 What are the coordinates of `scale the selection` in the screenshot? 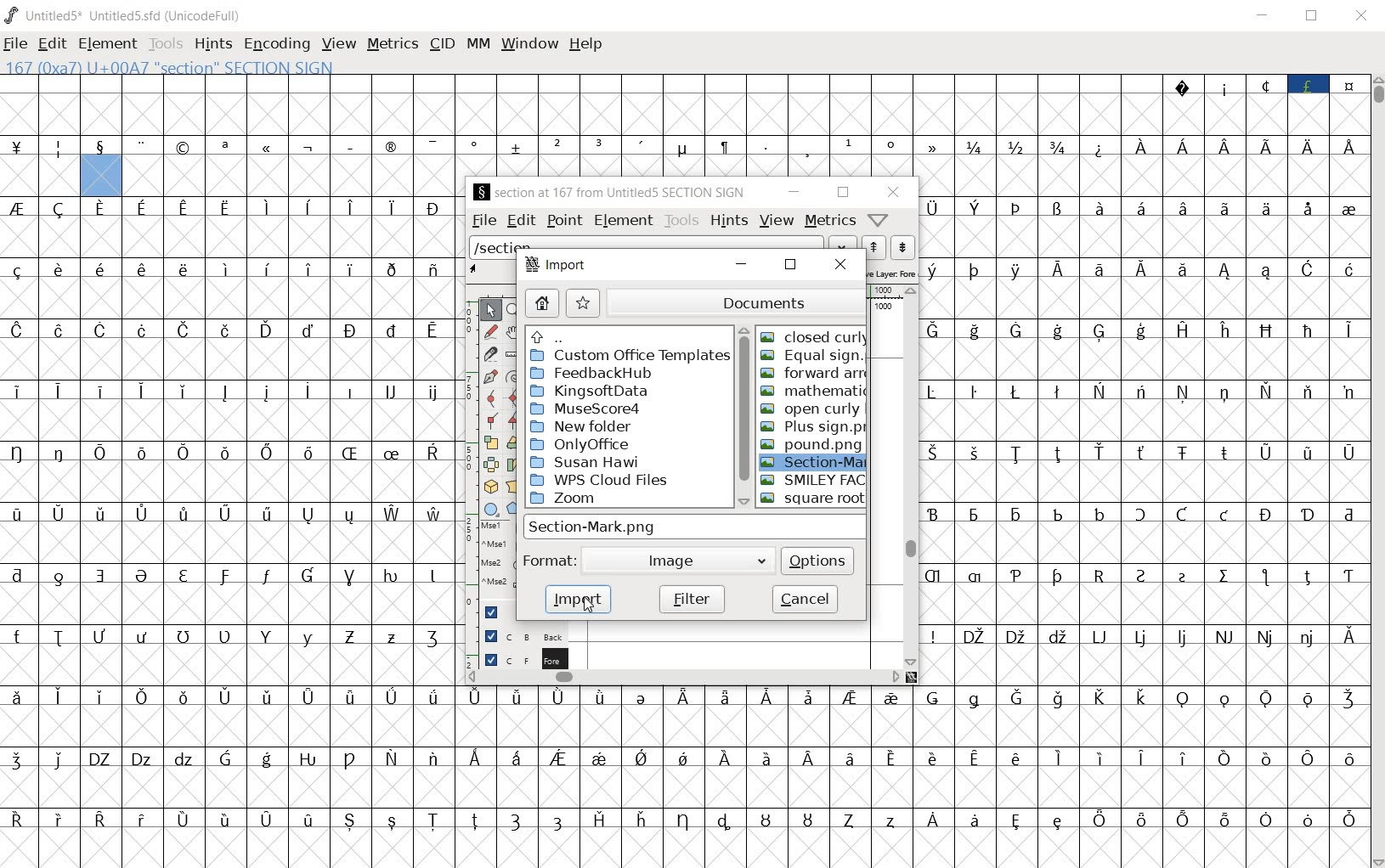 It's located at (491, 442).